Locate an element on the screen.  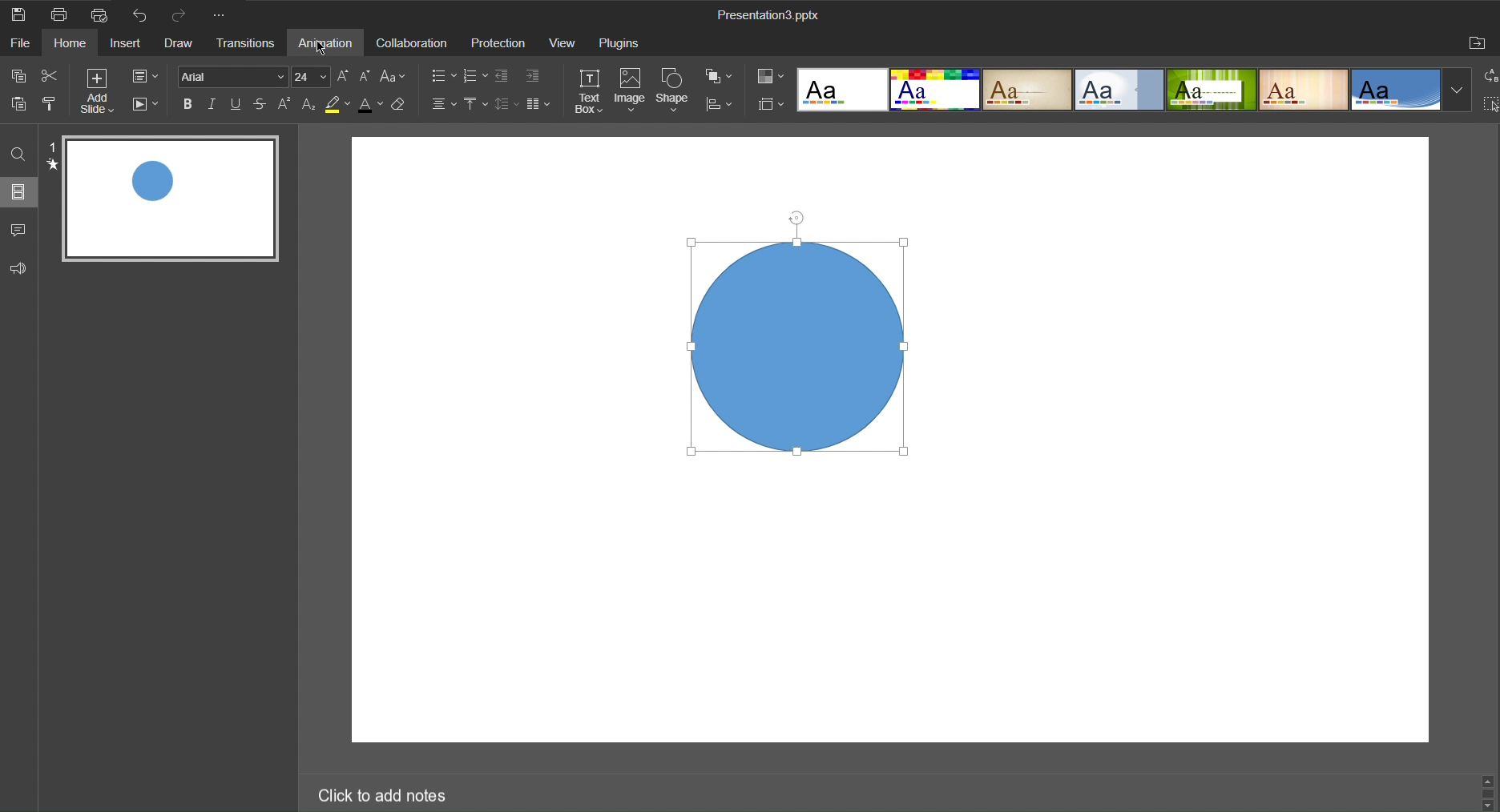
Slide Size Settings is located at coordinates (769, 103).